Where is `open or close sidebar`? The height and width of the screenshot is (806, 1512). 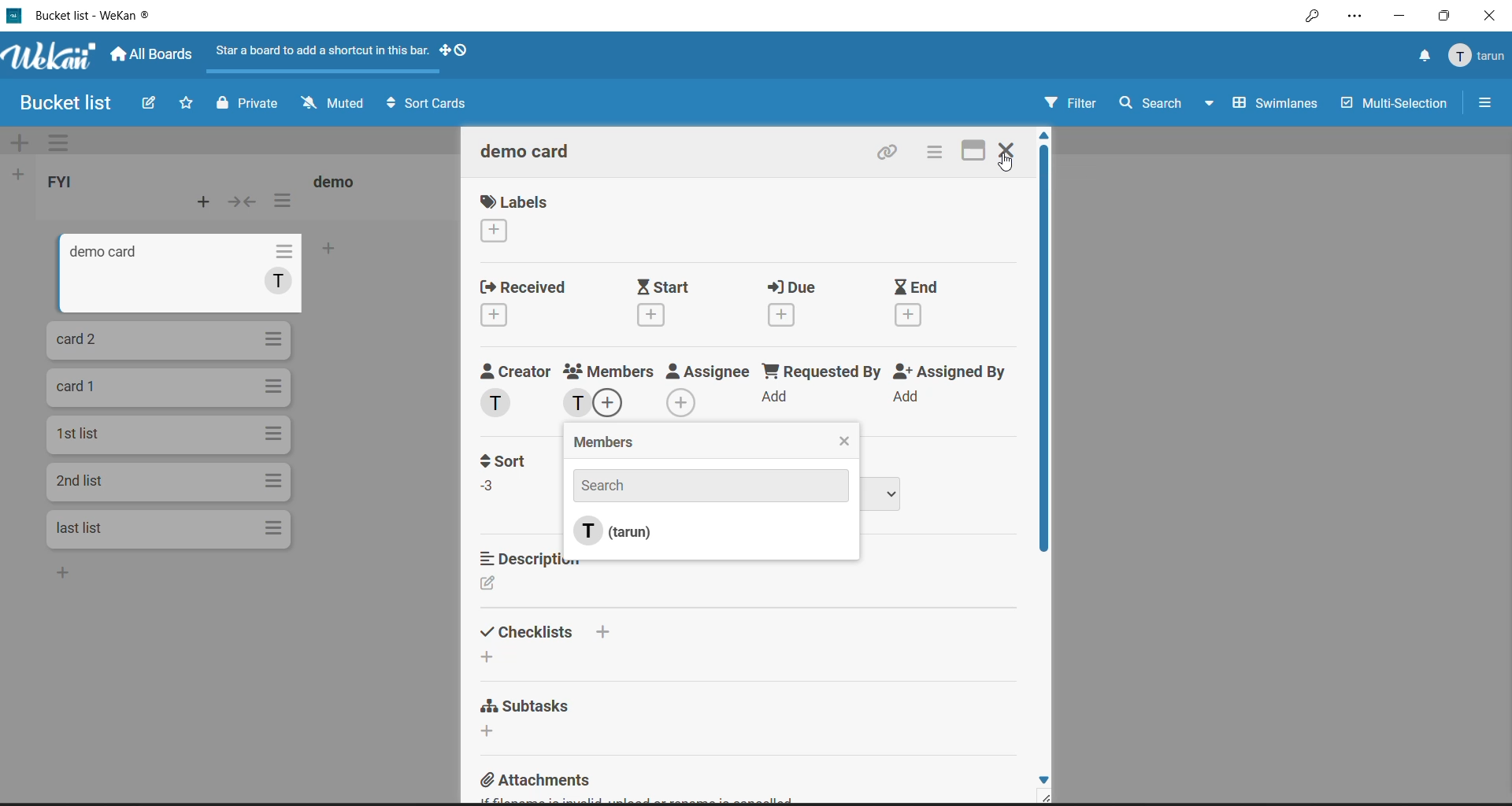
open or close sidebar is located at coordinates (1484, 102).